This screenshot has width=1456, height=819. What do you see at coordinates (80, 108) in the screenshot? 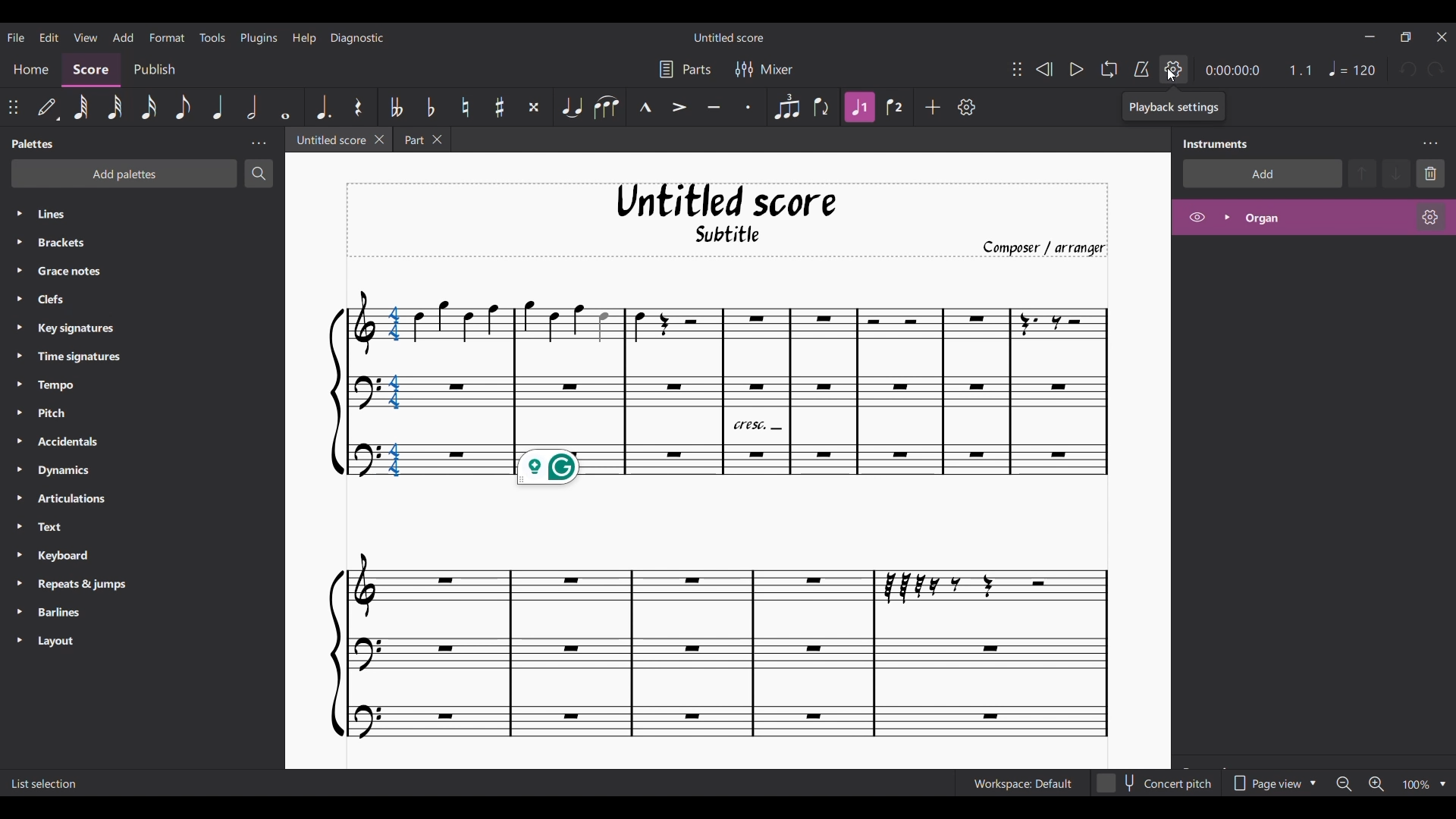
I see `64th note` at bounding box center [80, 108].